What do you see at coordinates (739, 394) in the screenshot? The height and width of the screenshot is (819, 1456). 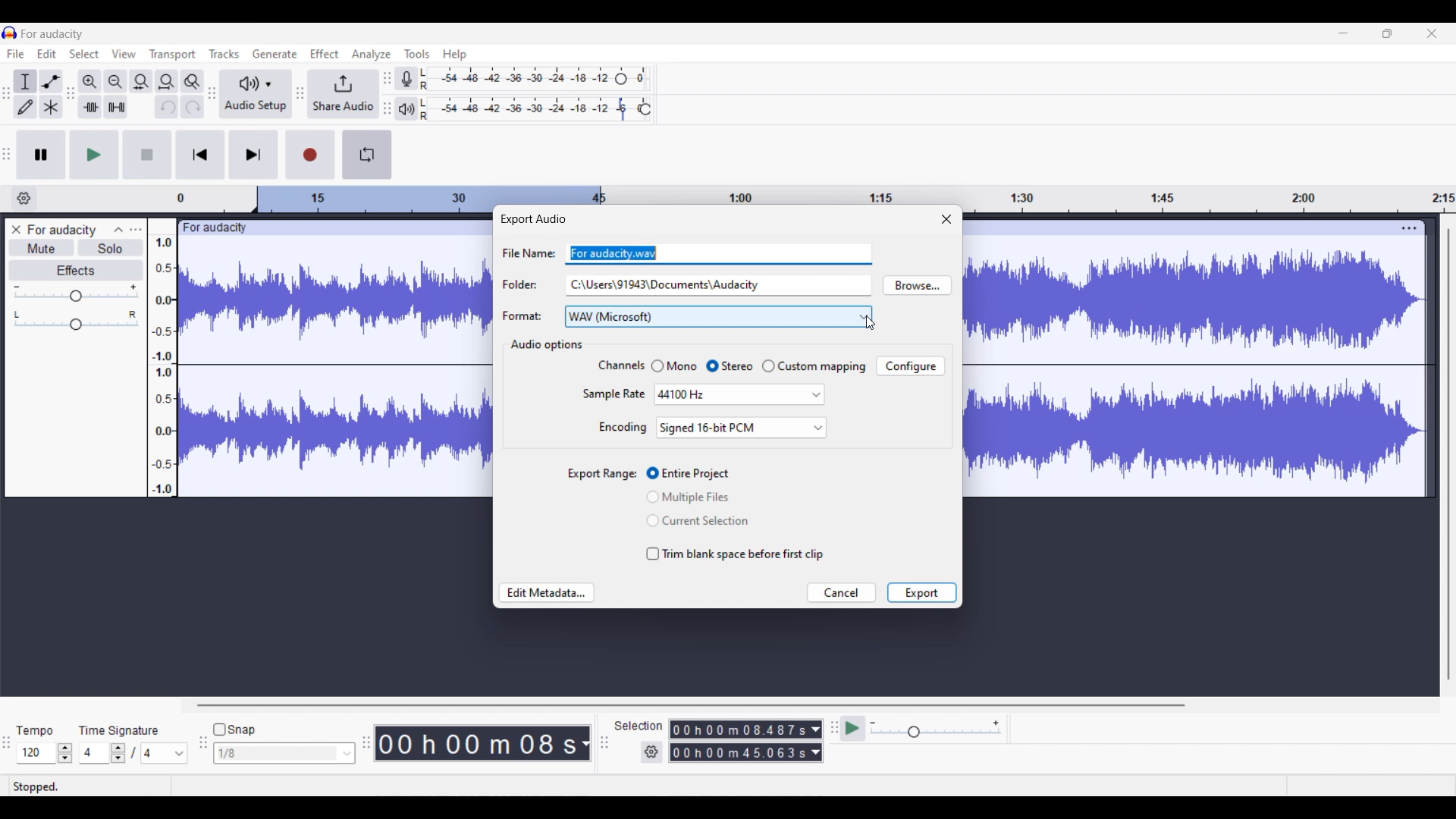 I see `Options for 'Sample Rate'` at bounding box center [739, 394].